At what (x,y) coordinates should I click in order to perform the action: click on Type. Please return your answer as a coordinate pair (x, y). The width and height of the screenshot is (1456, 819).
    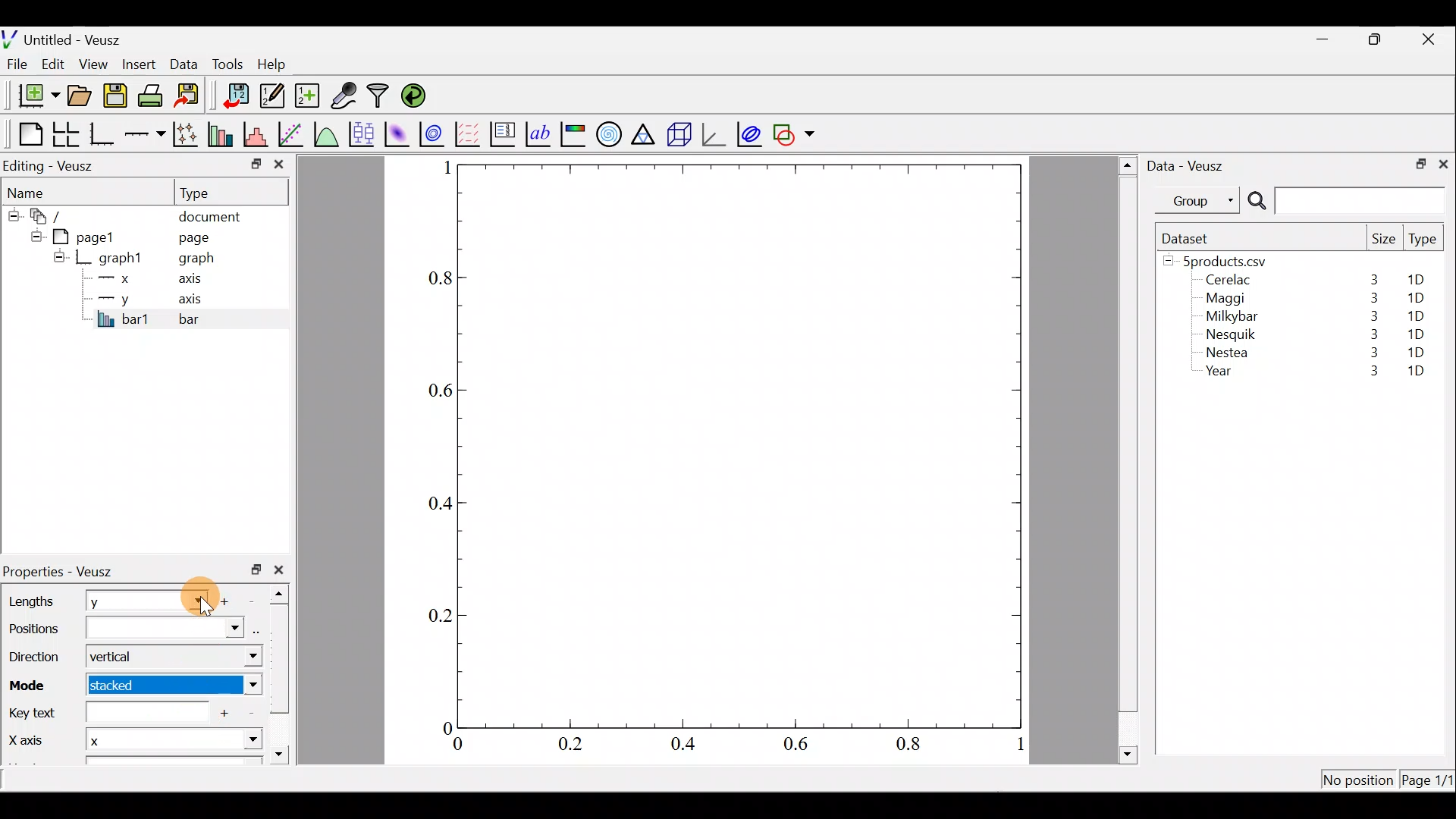
    Looking at the image, I should click on (209, 192).